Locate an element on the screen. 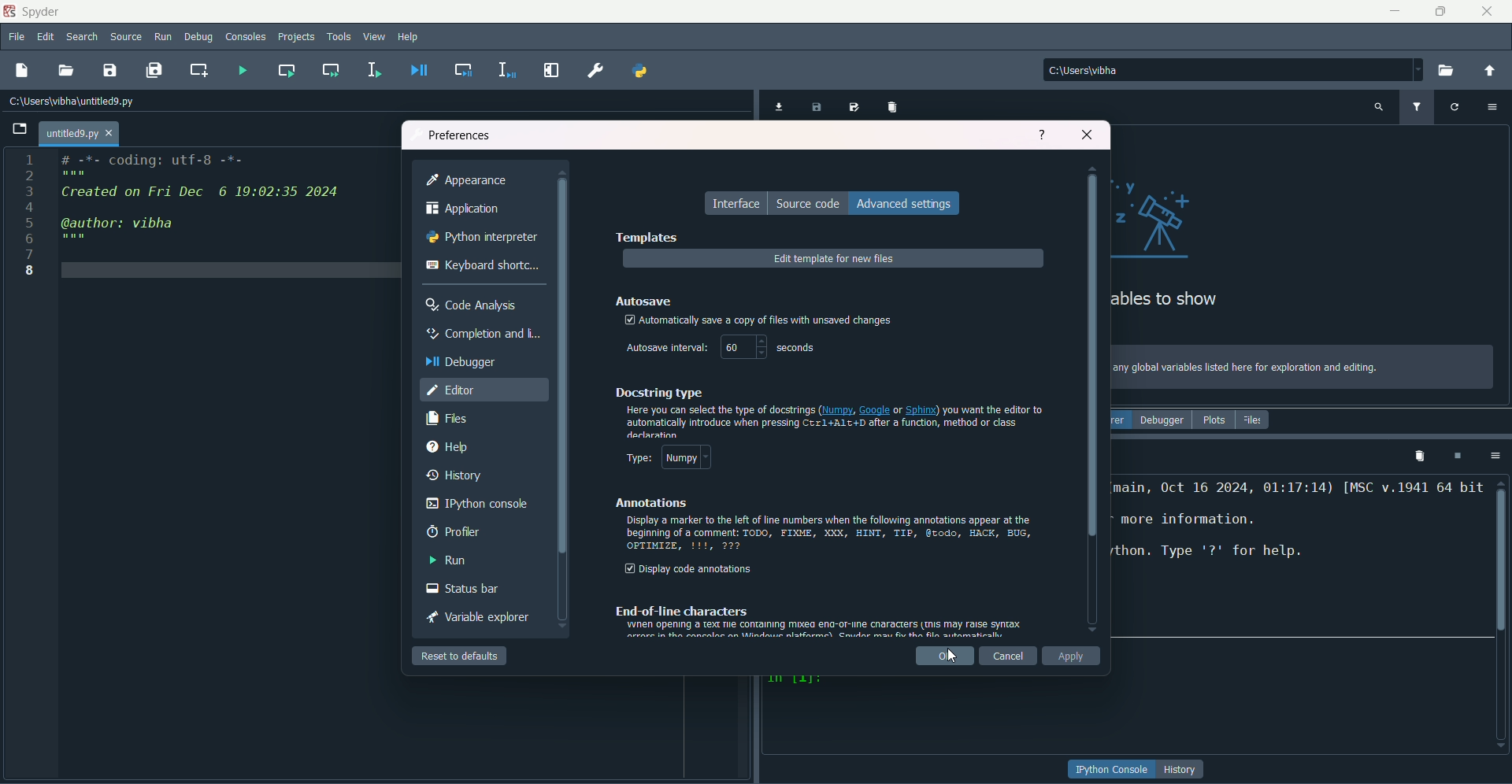 This screenshot has height=784, width=1512. create new cell is located at coordinates (199, 69).